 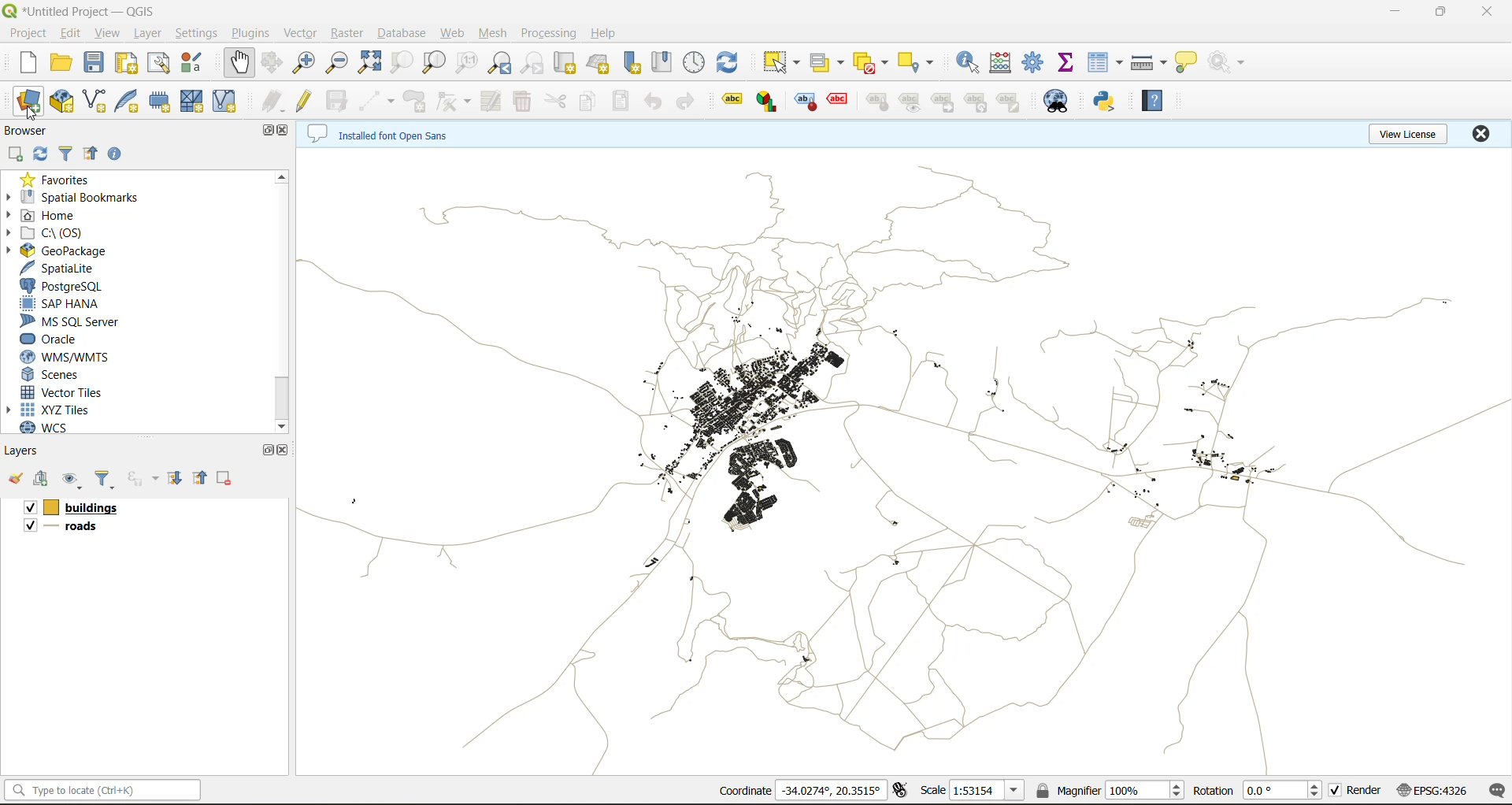 What do you see at coordinates (1336, 791) in the screenshot?
I see `checkbox` at bounding box center [1336, 791].